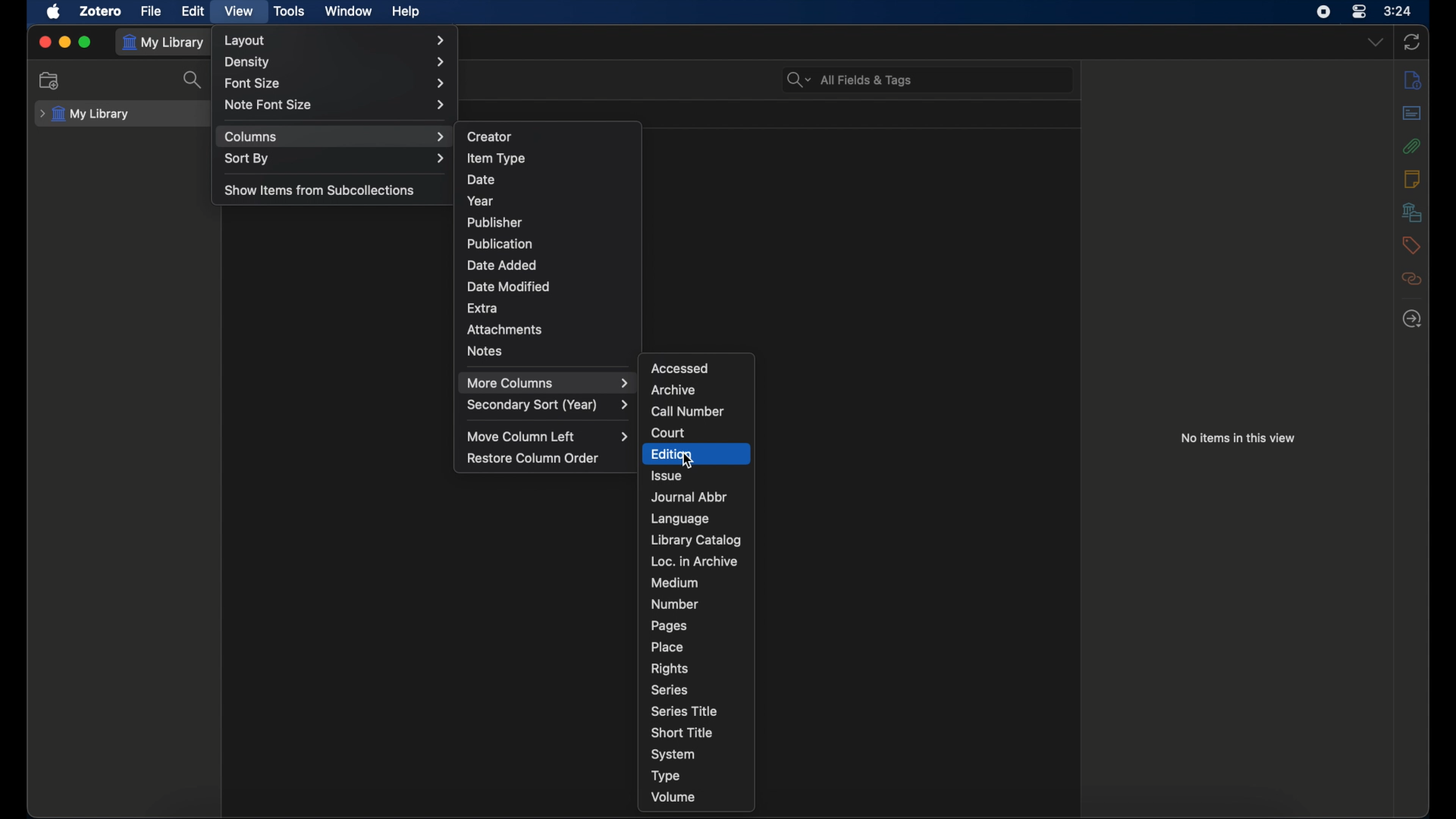 The width and height of the screenshot is (1456, 819). What do you see at coordinates (486, 350) in the screenshot?
I see `notes` at bounding box center [486, 350].